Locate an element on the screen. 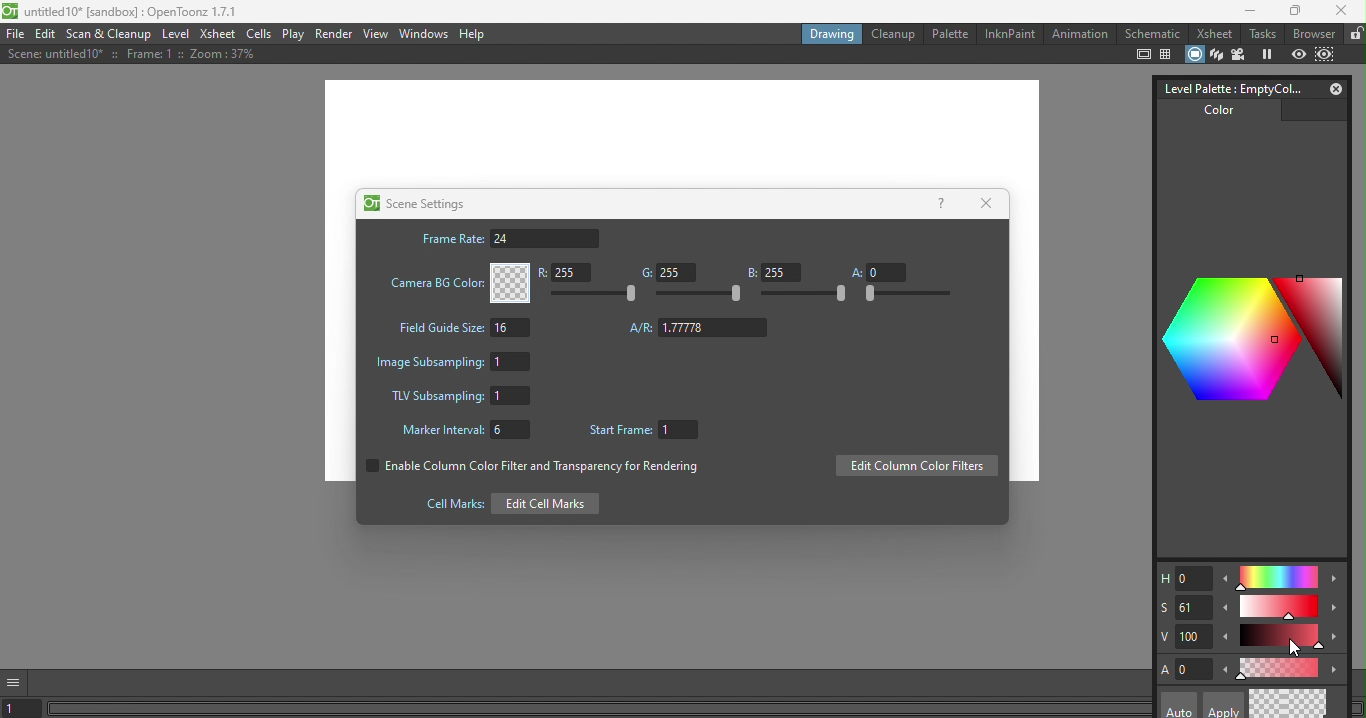 This screenshot has width=1366, height=718. Scene settings is located at coordinates (414, 203).